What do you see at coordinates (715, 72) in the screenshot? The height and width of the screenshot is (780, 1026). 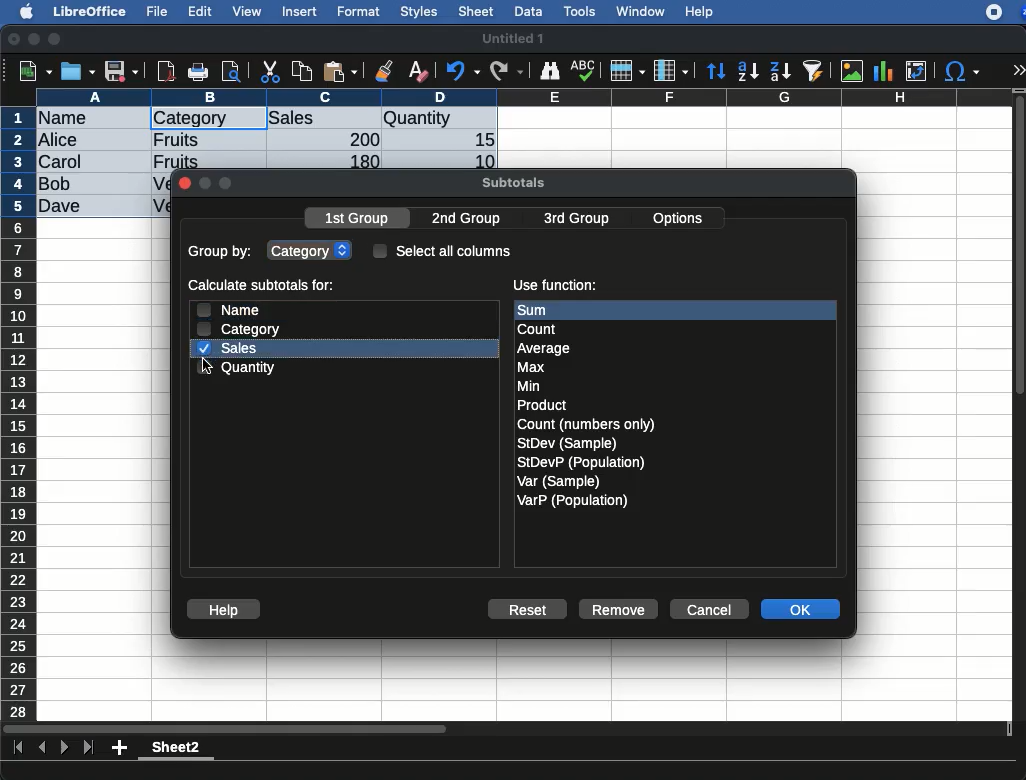 I see `sort` at bounding box center [715, 72].